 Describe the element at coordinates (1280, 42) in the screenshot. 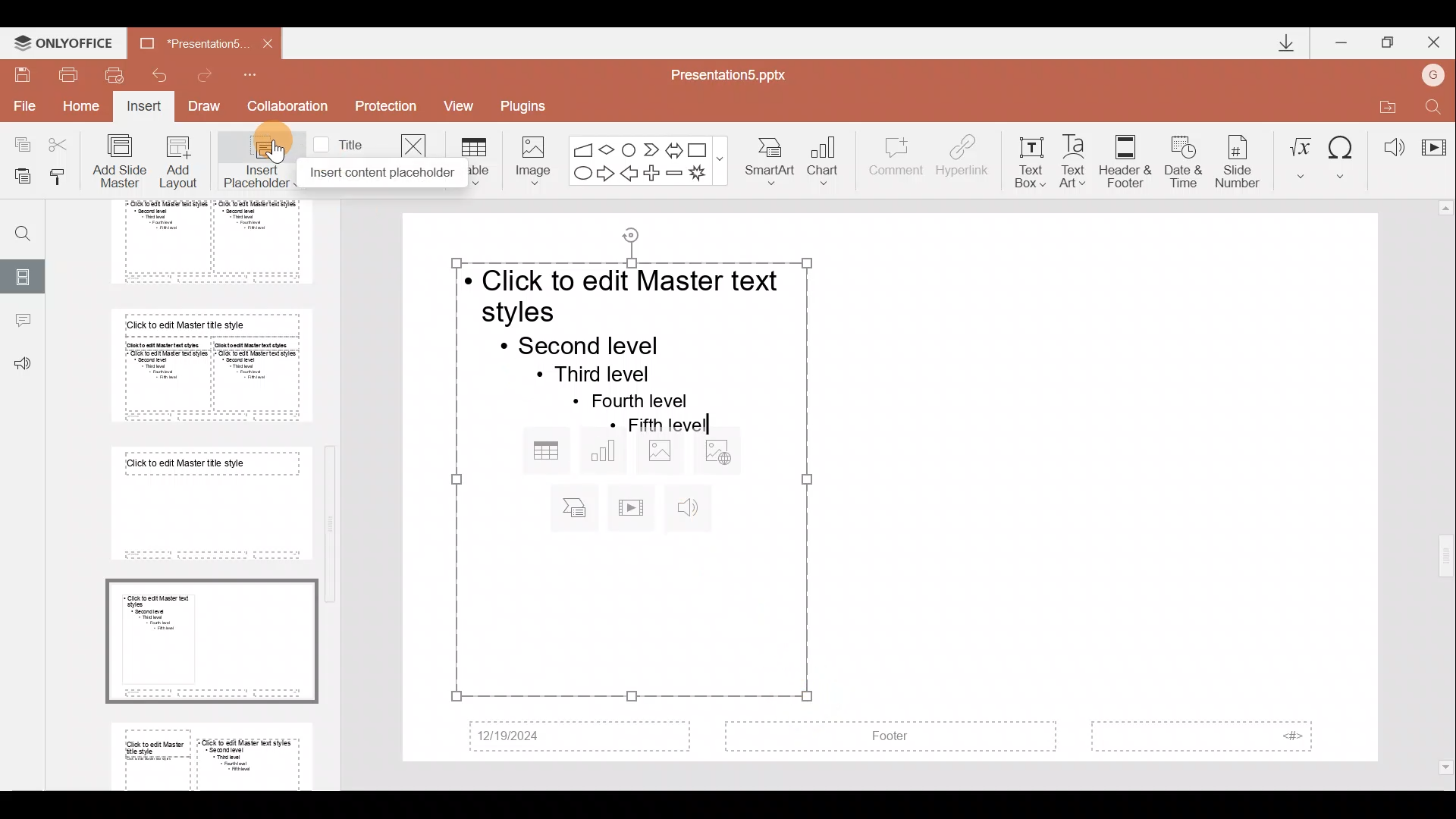

I see `Downloads` at that location.